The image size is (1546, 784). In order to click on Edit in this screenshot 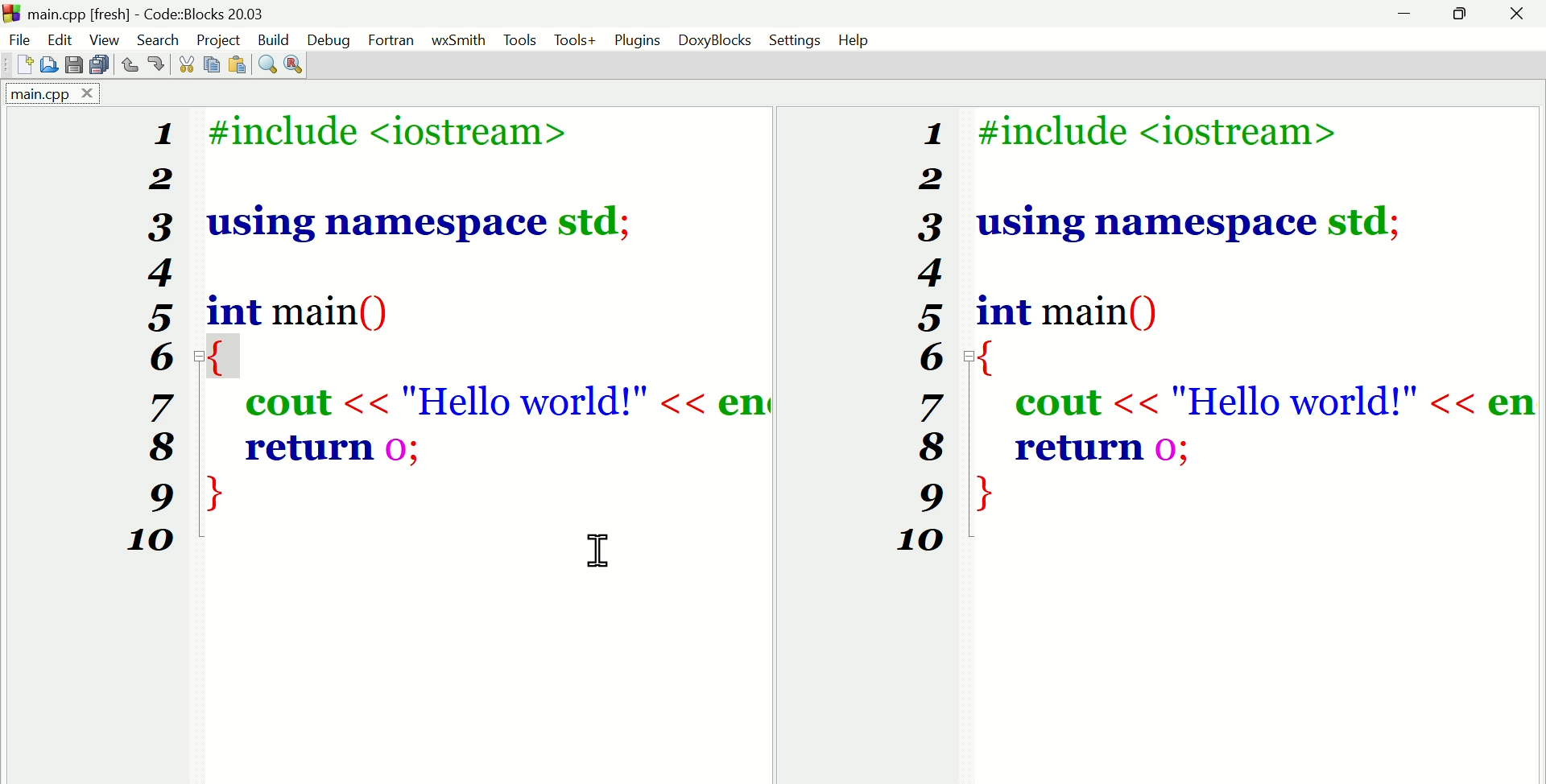, I will do `click(62, 40)`.